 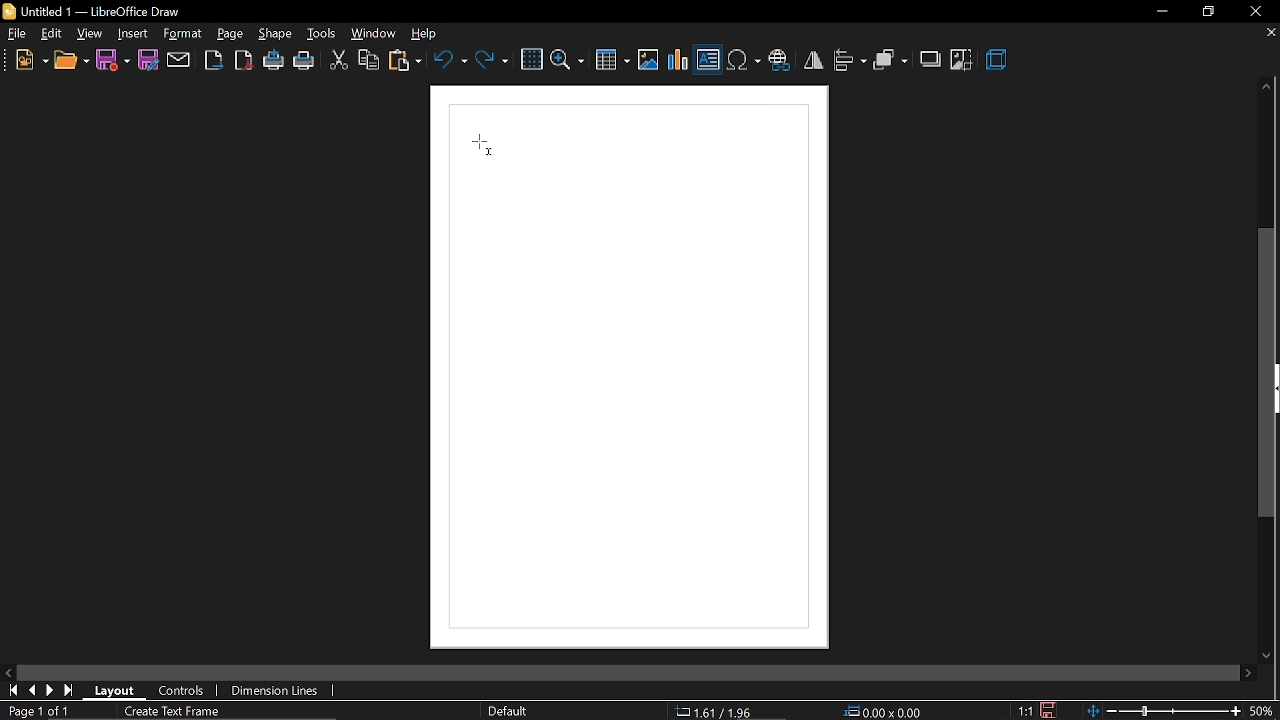 I want to click on print directly, so click(x=275, y=61).